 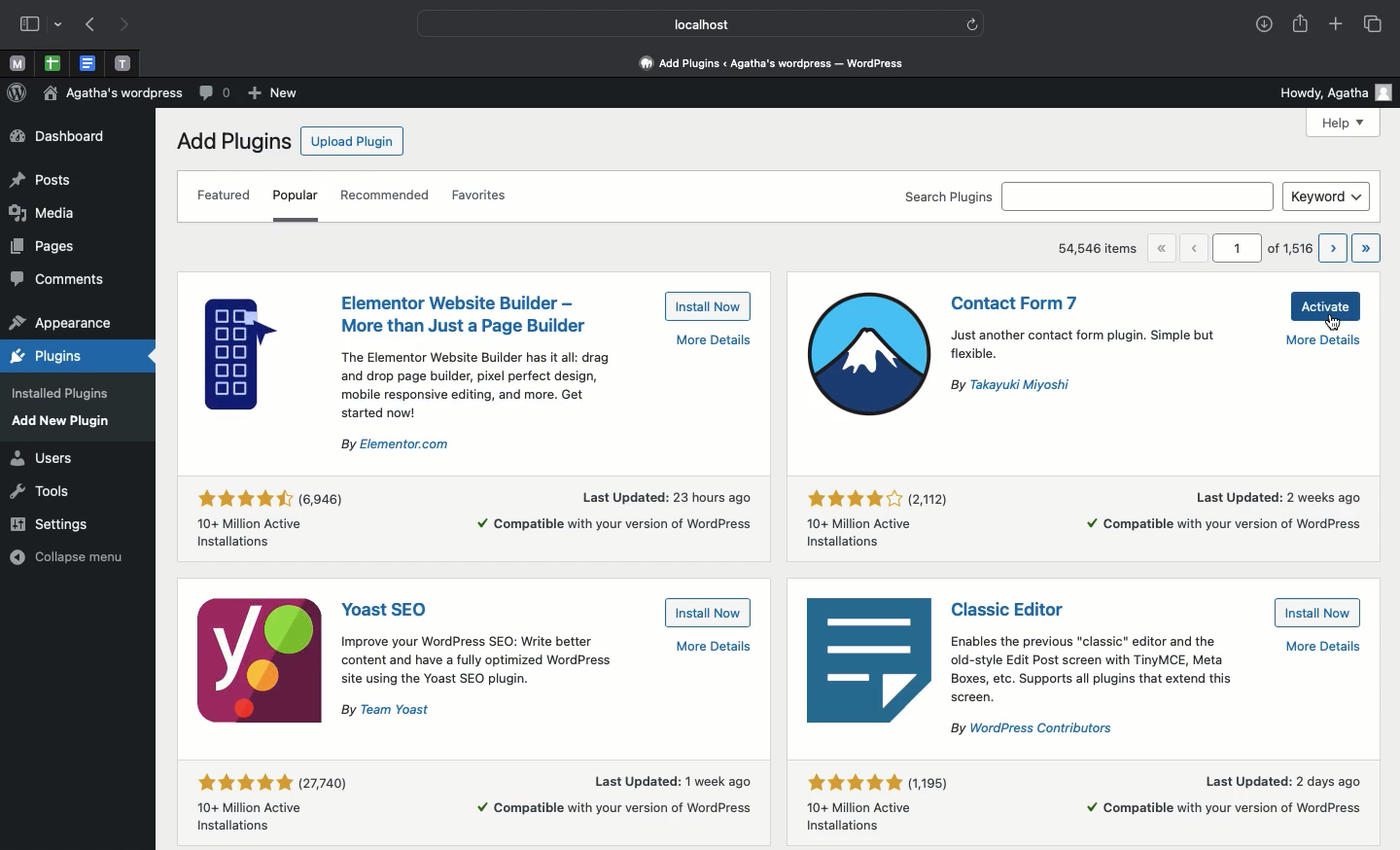 I want to click on Localhost, so click(x=690, y=21).